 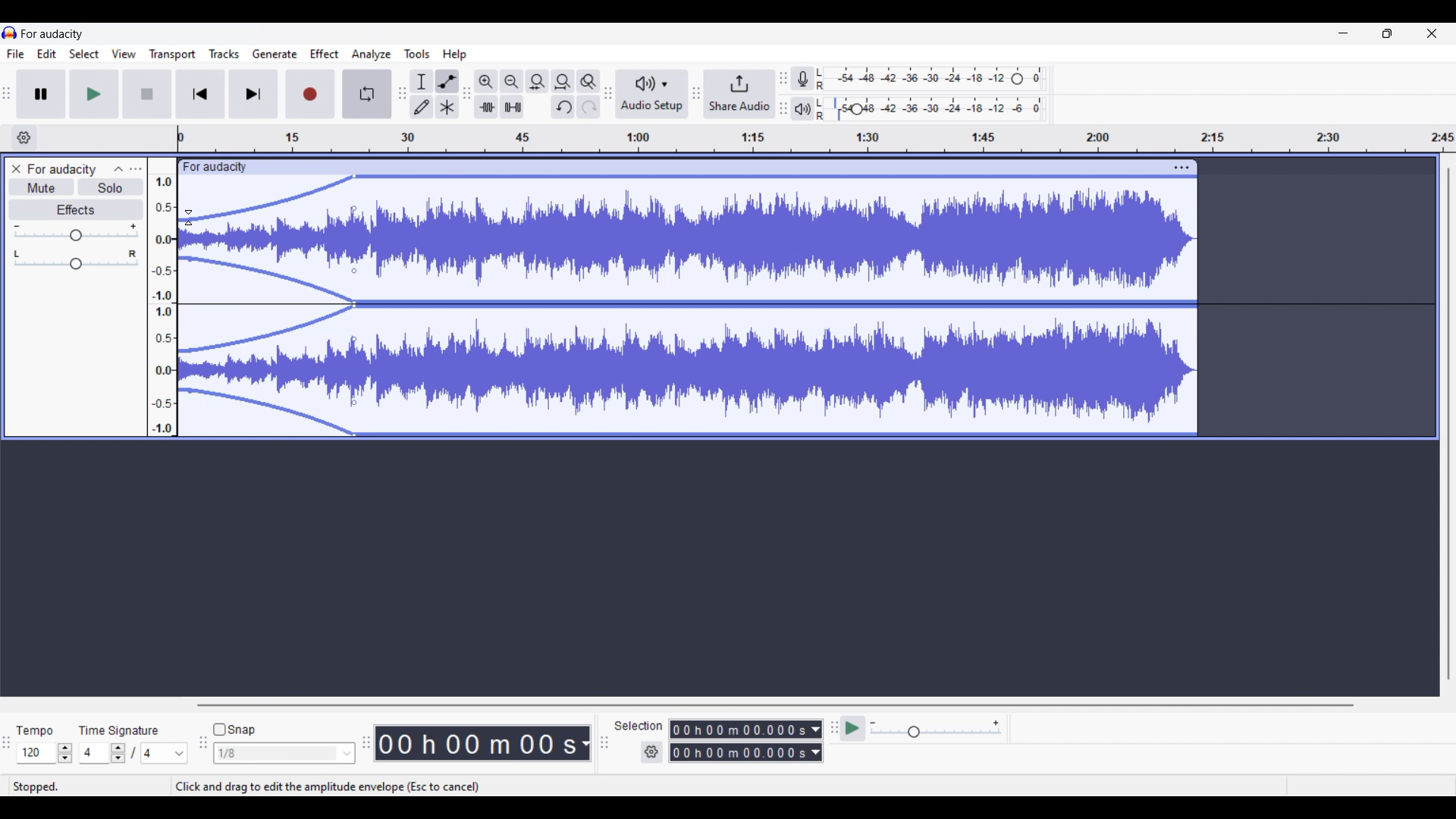 I want to click on Undo, so click(x=563, y=107).